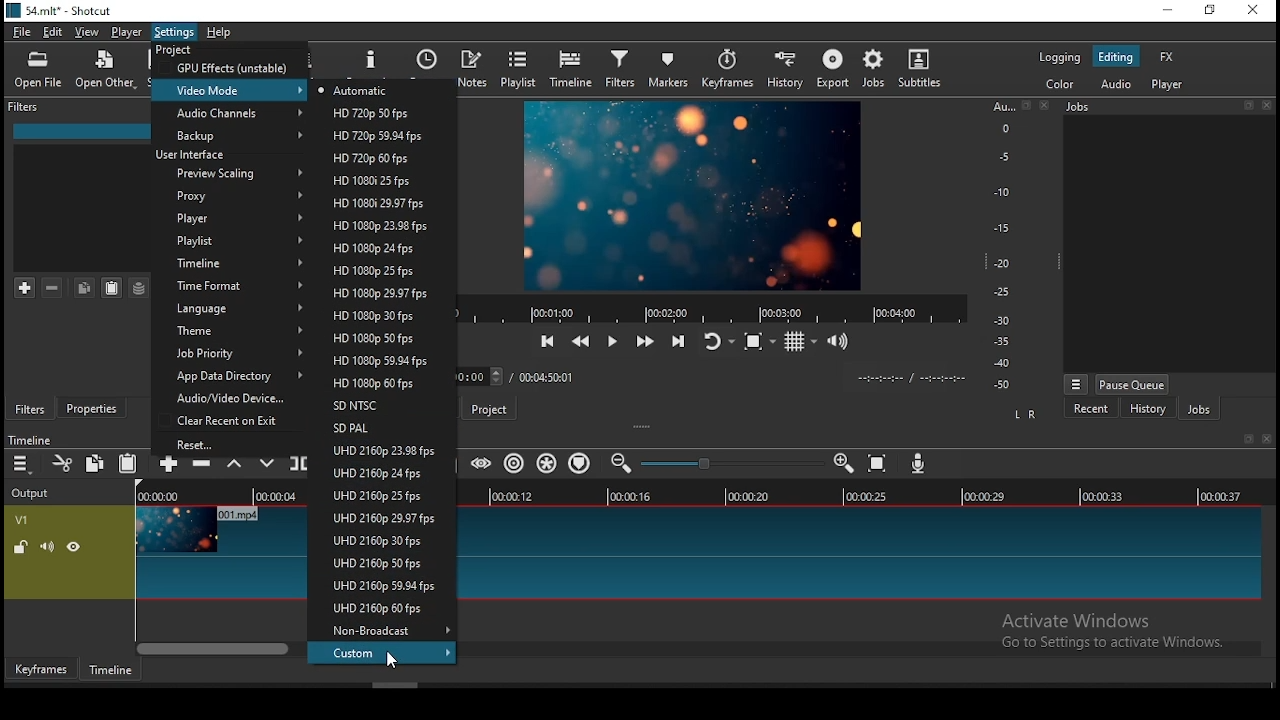 The height and width of the screenshot is (720, 1280). I want to click on volume, so click(47, 546).